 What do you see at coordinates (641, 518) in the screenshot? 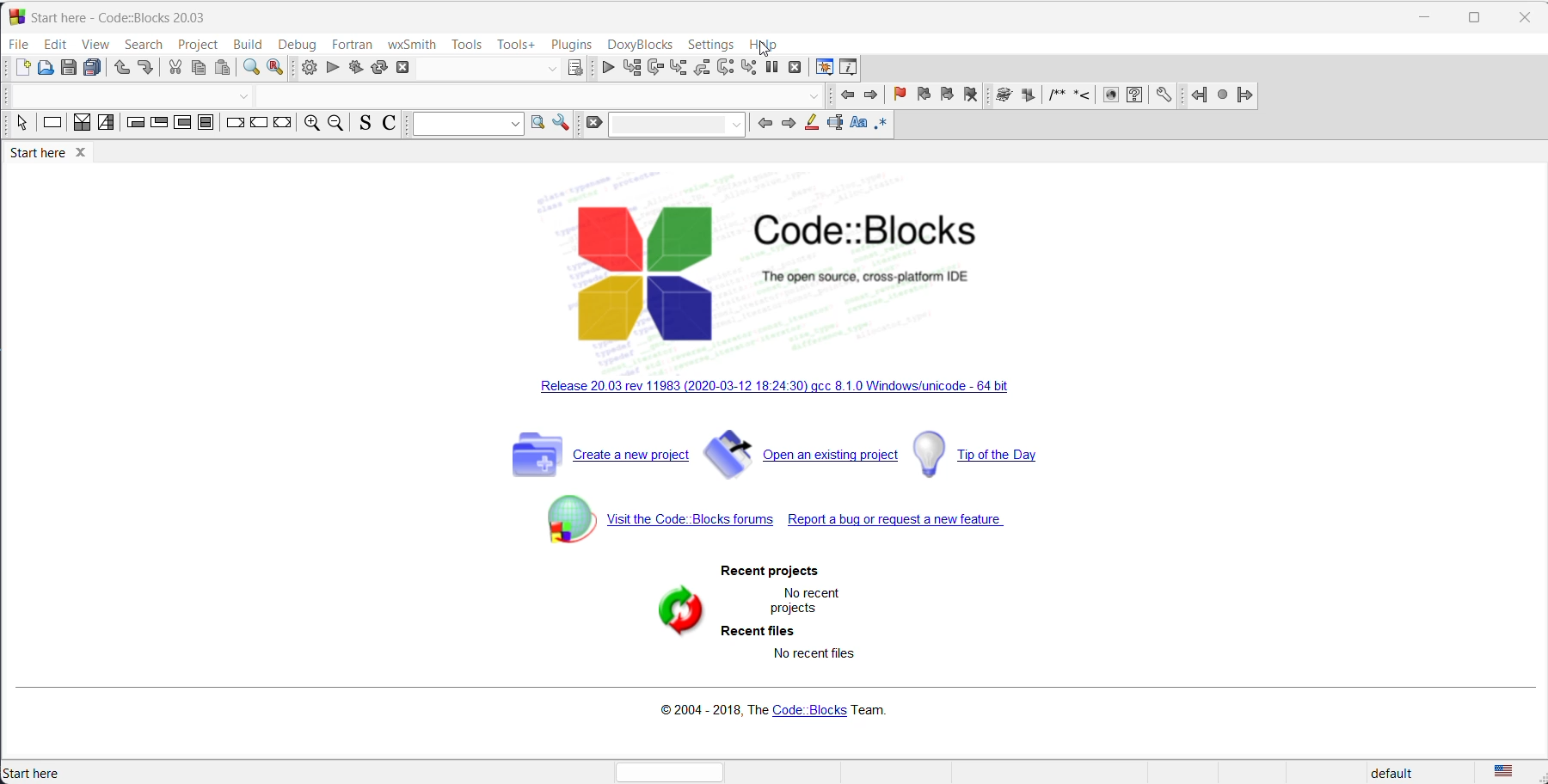
I see `Visit the Code Blocks forums` at bounding box center [641, 518].